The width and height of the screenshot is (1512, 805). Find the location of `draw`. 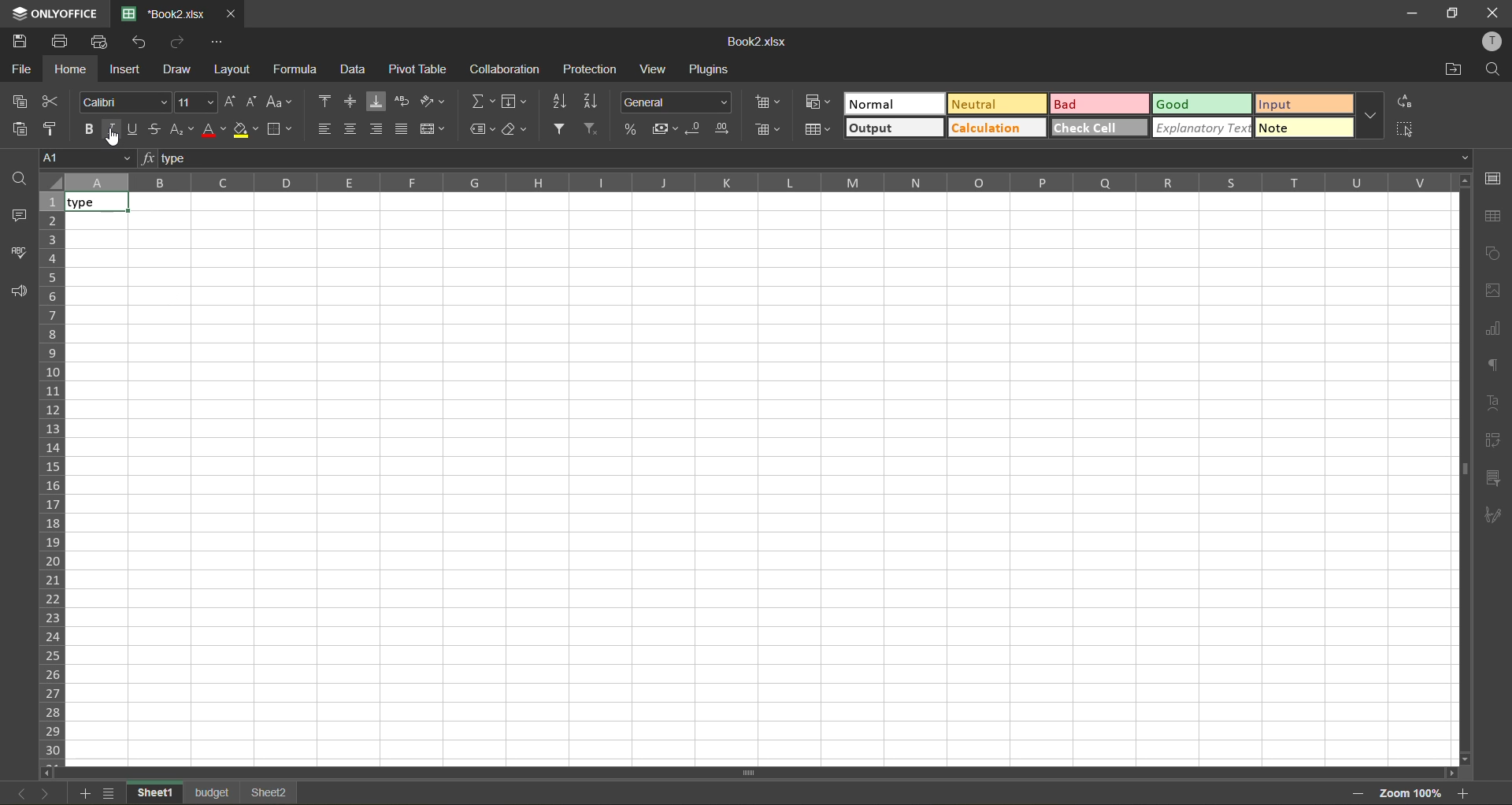

draw is located at coordinates (177, 68).